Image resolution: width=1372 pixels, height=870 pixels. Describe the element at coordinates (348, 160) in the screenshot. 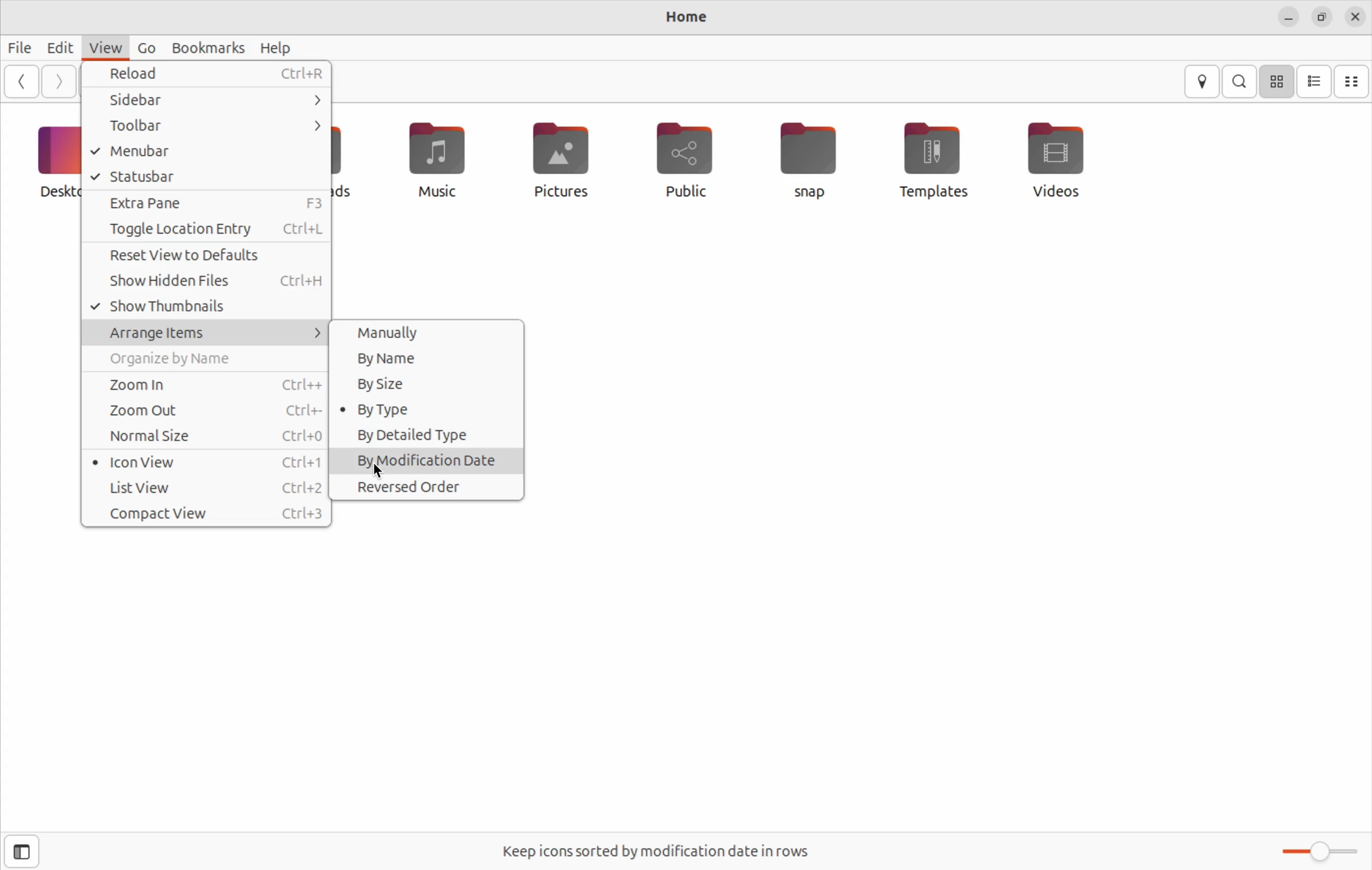

I see `downloads` at that location.